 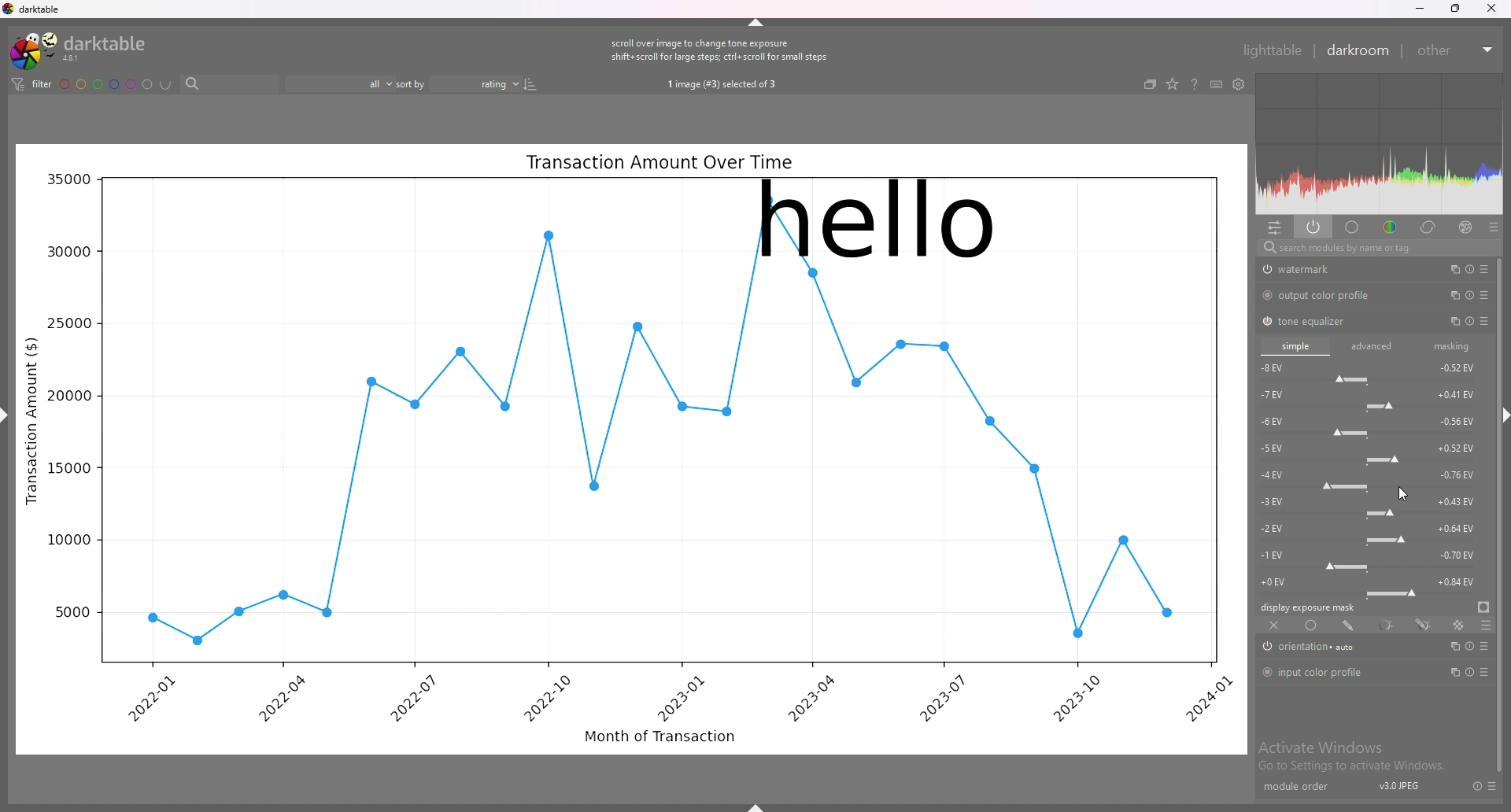 What do you see at coordinates (1469, 321) in the screenshot?
I see `multiple instance actions, reset and presets` at bounding box center [1469, 321].